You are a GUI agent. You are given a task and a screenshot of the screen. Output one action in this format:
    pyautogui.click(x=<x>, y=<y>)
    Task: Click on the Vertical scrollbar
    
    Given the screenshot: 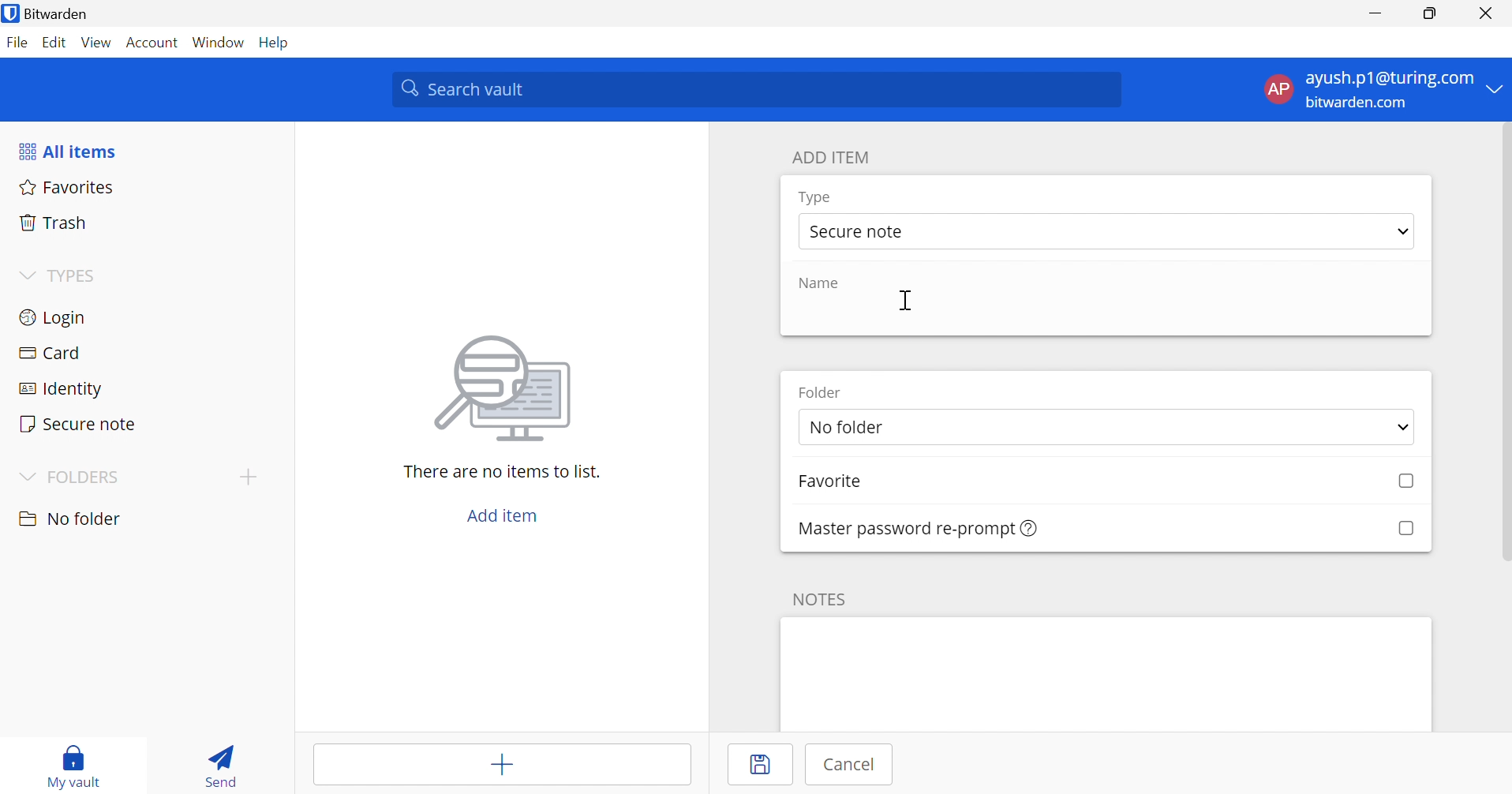 What is the action you would take?
    pyautogui.click(x=1503, y=342)
    